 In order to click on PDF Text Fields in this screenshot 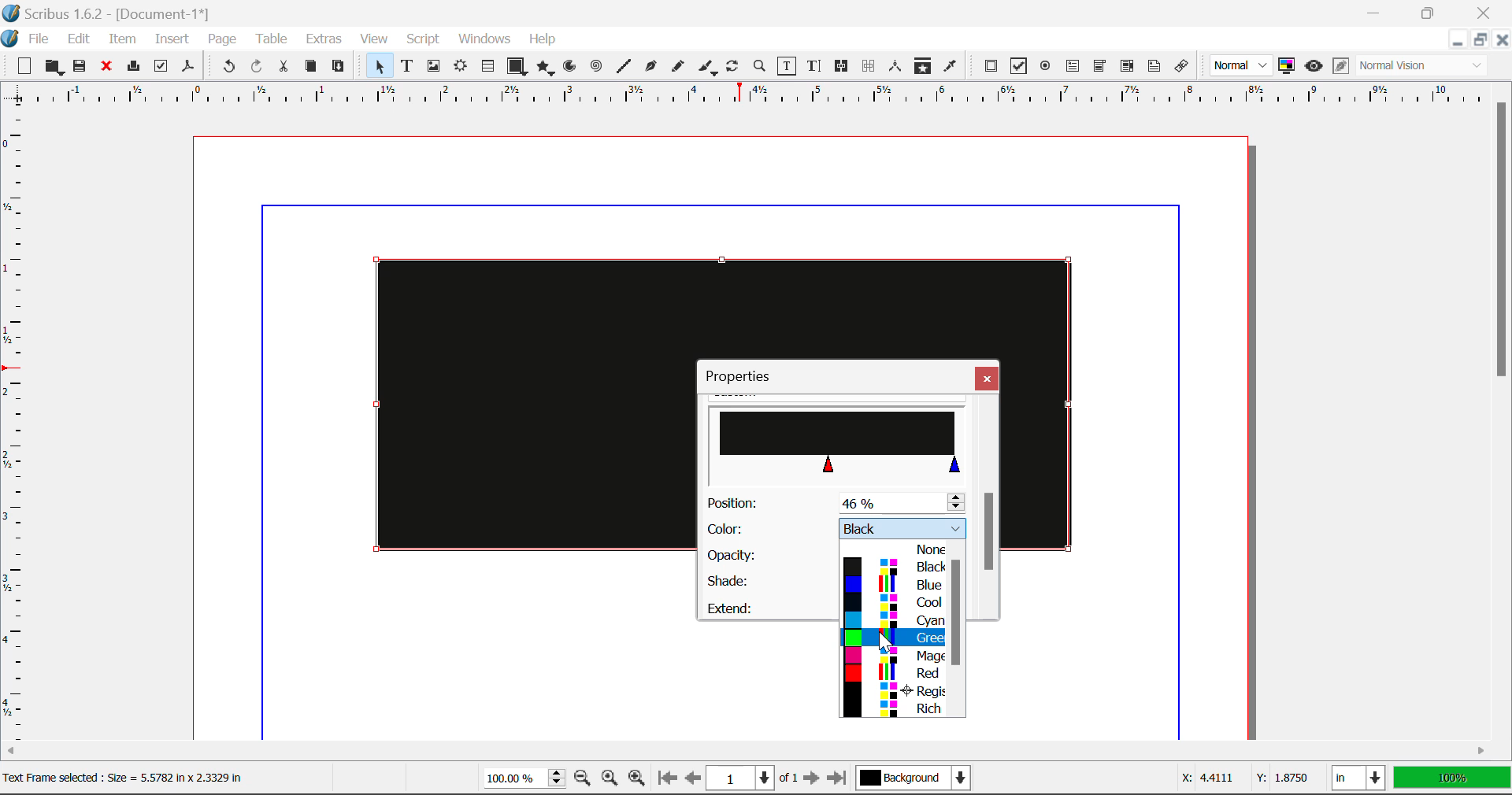, I will do `click(1073, 66)`.